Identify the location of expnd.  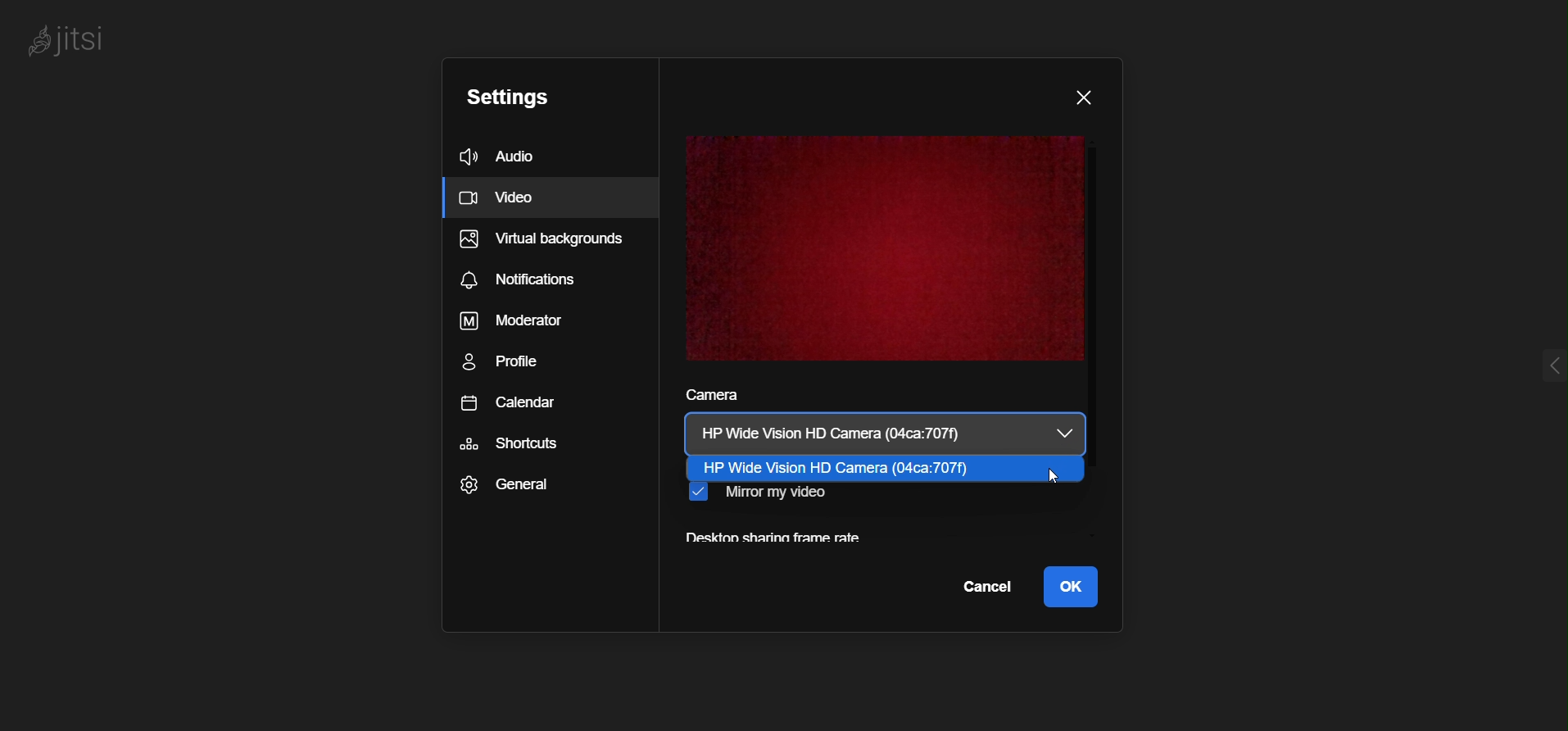
(1533, 363).